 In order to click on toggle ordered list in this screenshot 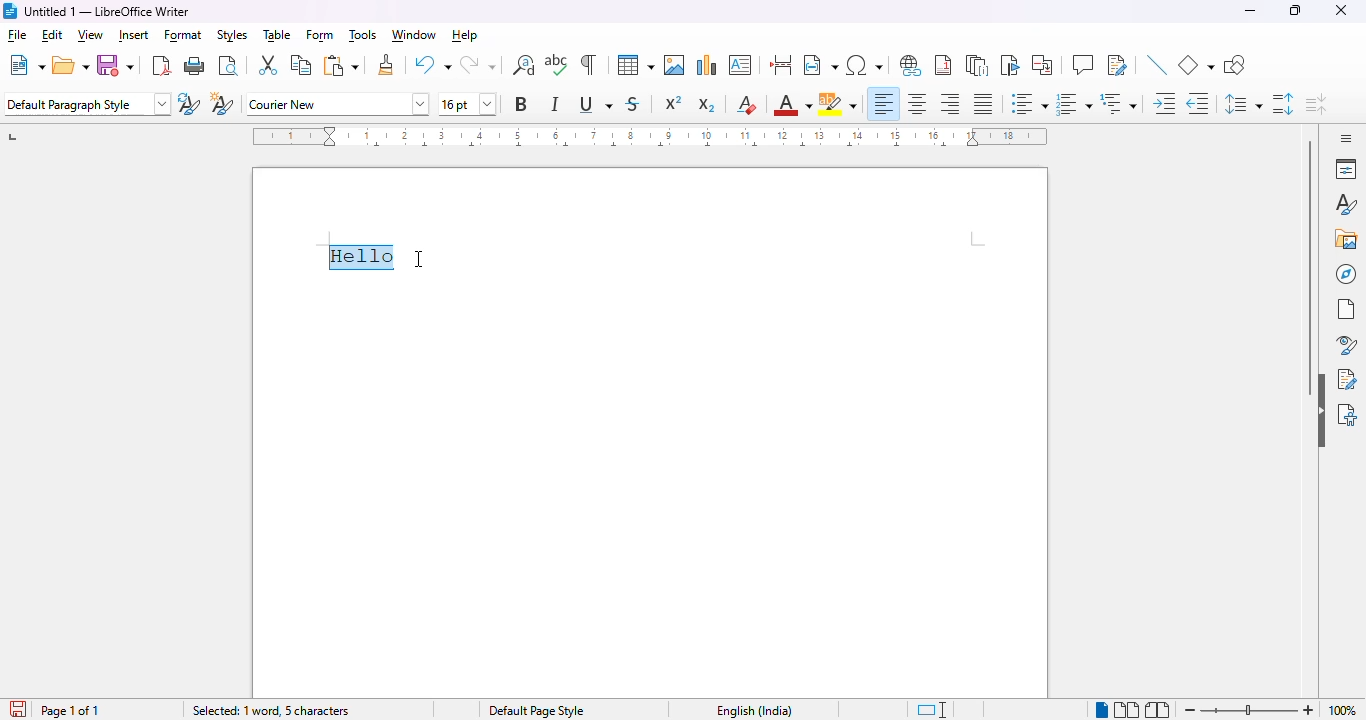, I will do `click(1073, 103)`.